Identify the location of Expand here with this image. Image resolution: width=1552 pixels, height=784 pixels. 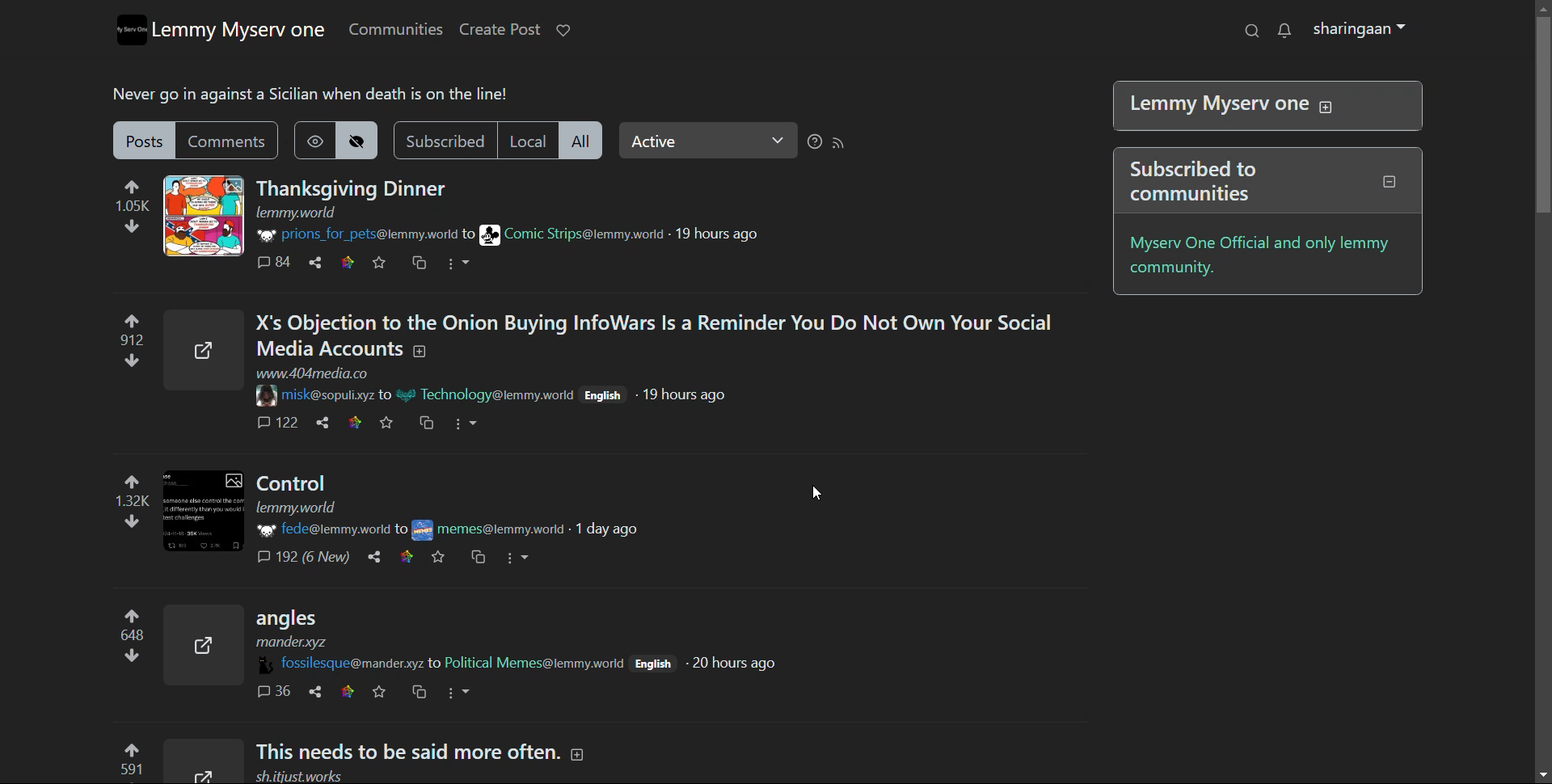
(204, 512).